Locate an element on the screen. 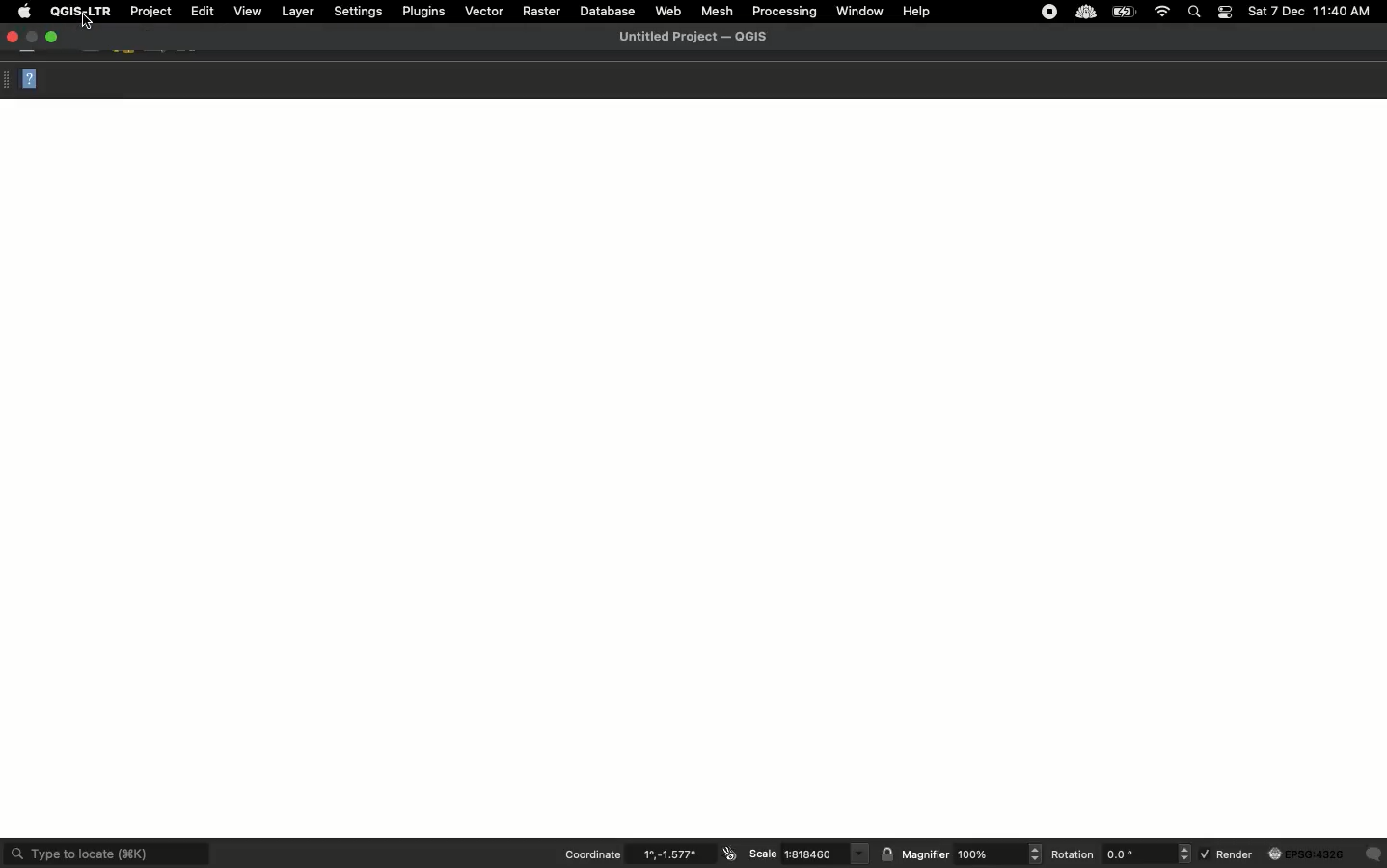  Internet is located at coordinates (1164, 13).